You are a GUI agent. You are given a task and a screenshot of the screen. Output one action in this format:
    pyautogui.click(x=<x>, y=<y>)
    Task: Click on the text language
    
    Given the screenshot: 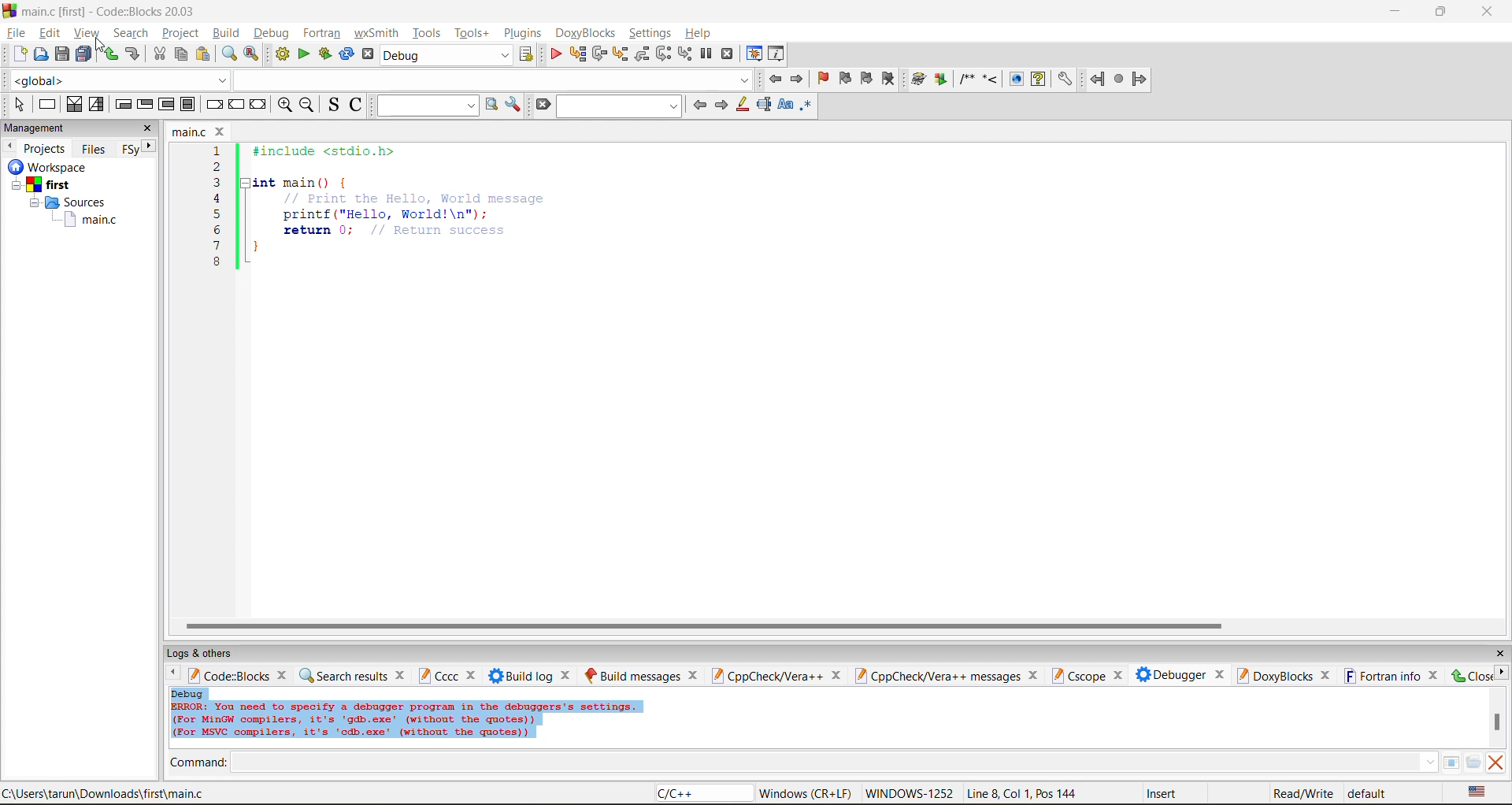 What is the action you would take?
    pyautogui.click(x=1475, y=792)
    